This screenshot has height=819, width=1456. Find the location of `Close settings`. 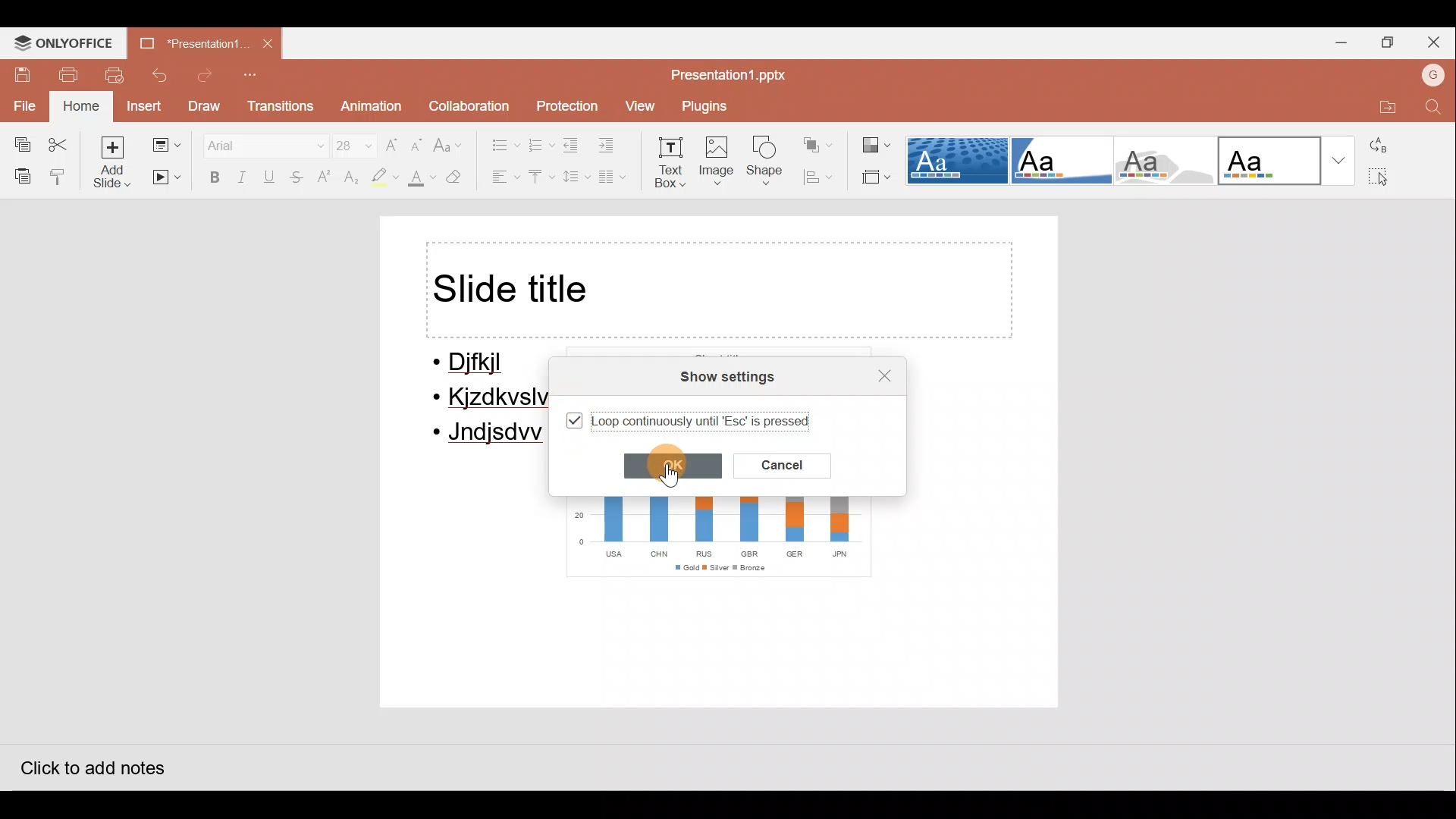

Close settings is located at coordinates (878, 375).